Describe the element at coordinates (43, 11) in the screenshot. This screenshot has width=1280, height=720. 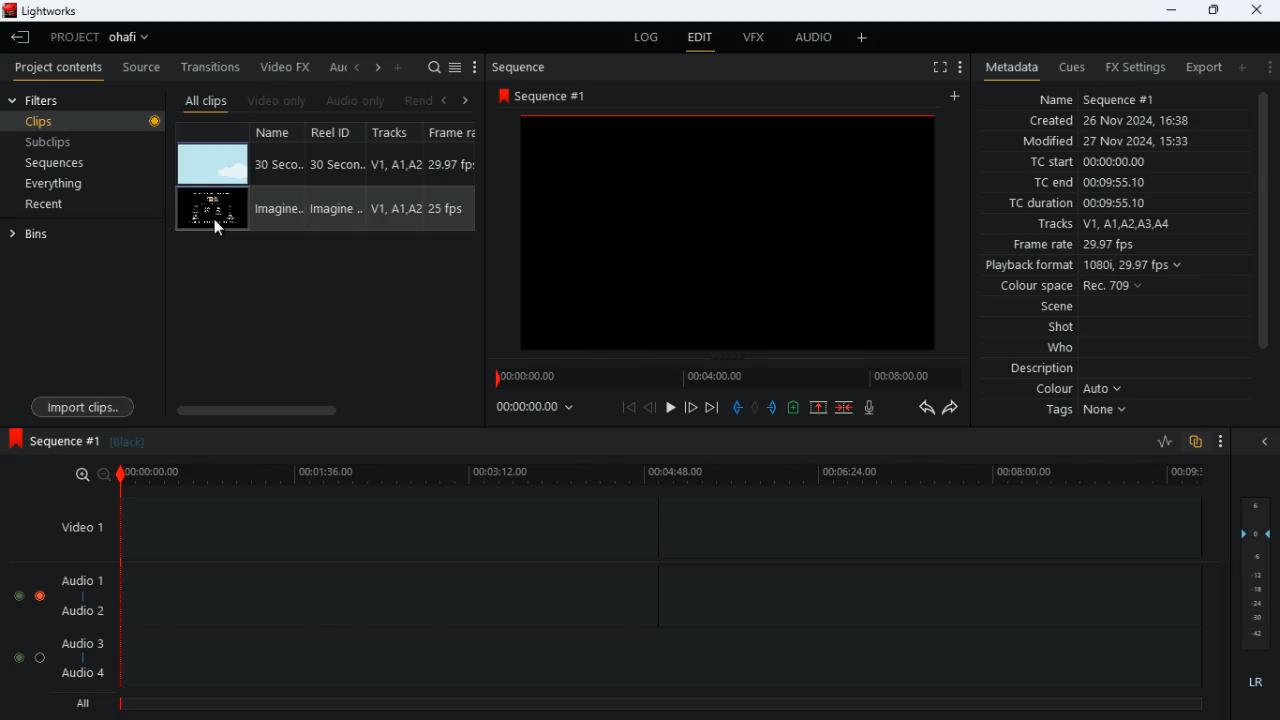
I see `lightworks` at that location.